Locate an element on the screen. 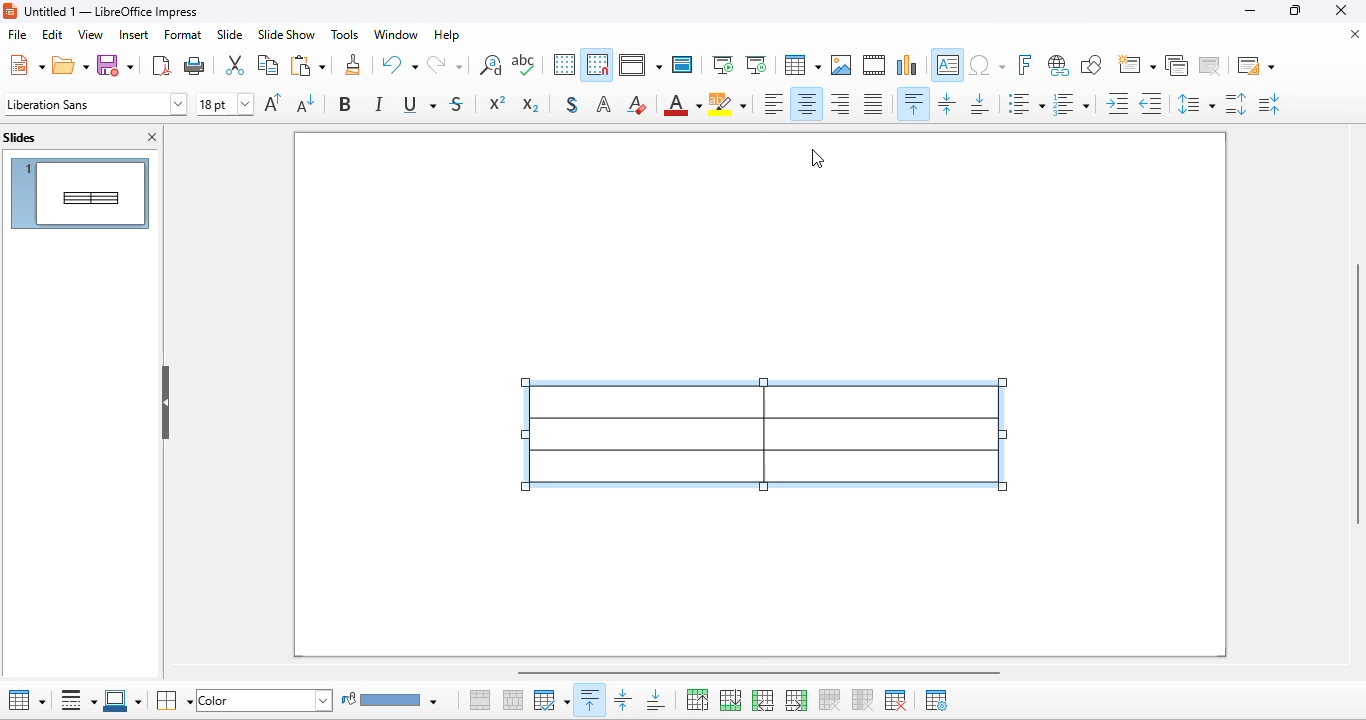 This screenshot has height=720, width=1366. duplicate slide is located at coordinates (1176, 65).